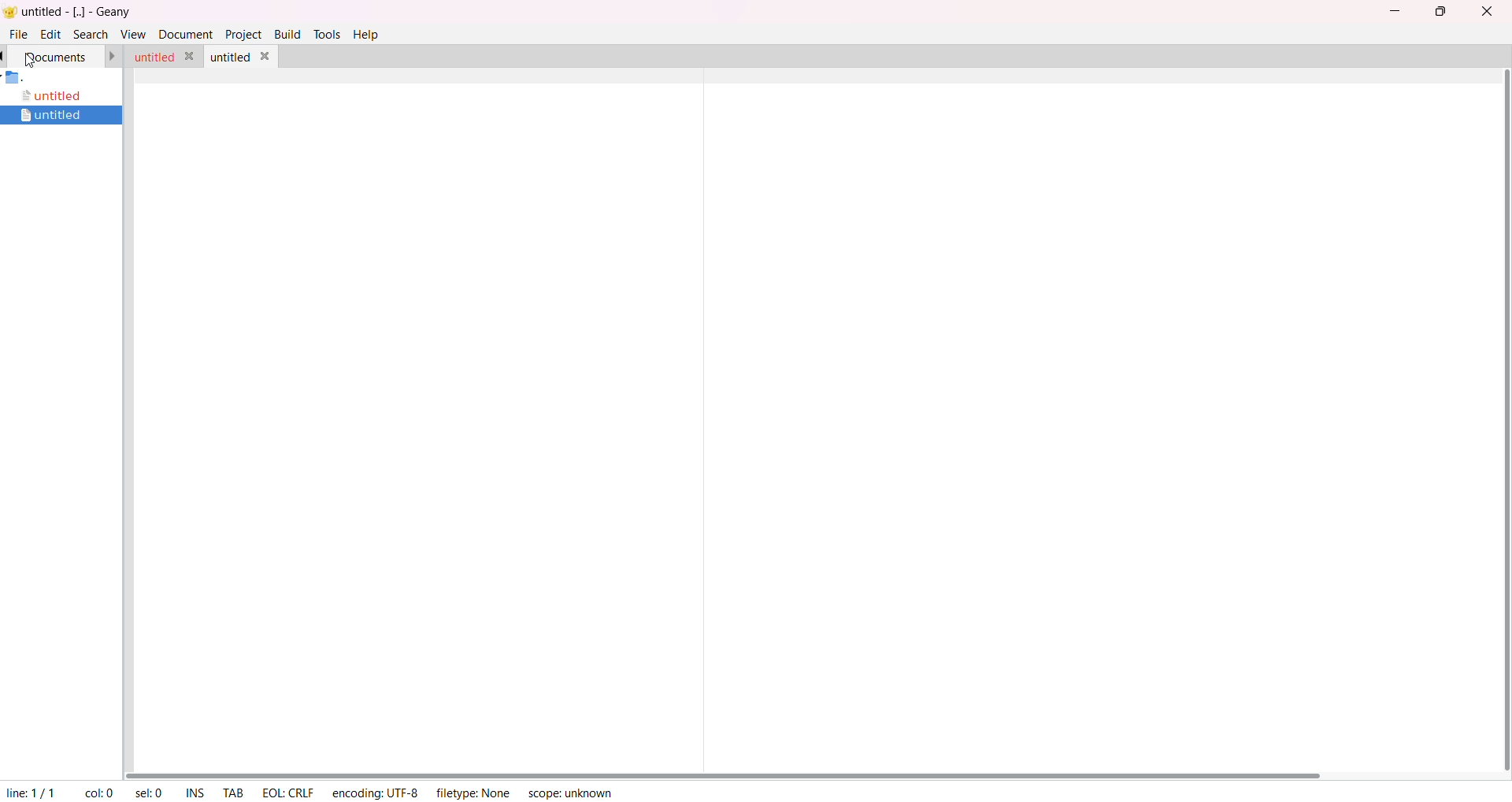 This screenshot has width=1512, height=802. What do you see at coordinates (231, 59) in the screenshot?
I see `untitled ` at bounding box center [231, 59].